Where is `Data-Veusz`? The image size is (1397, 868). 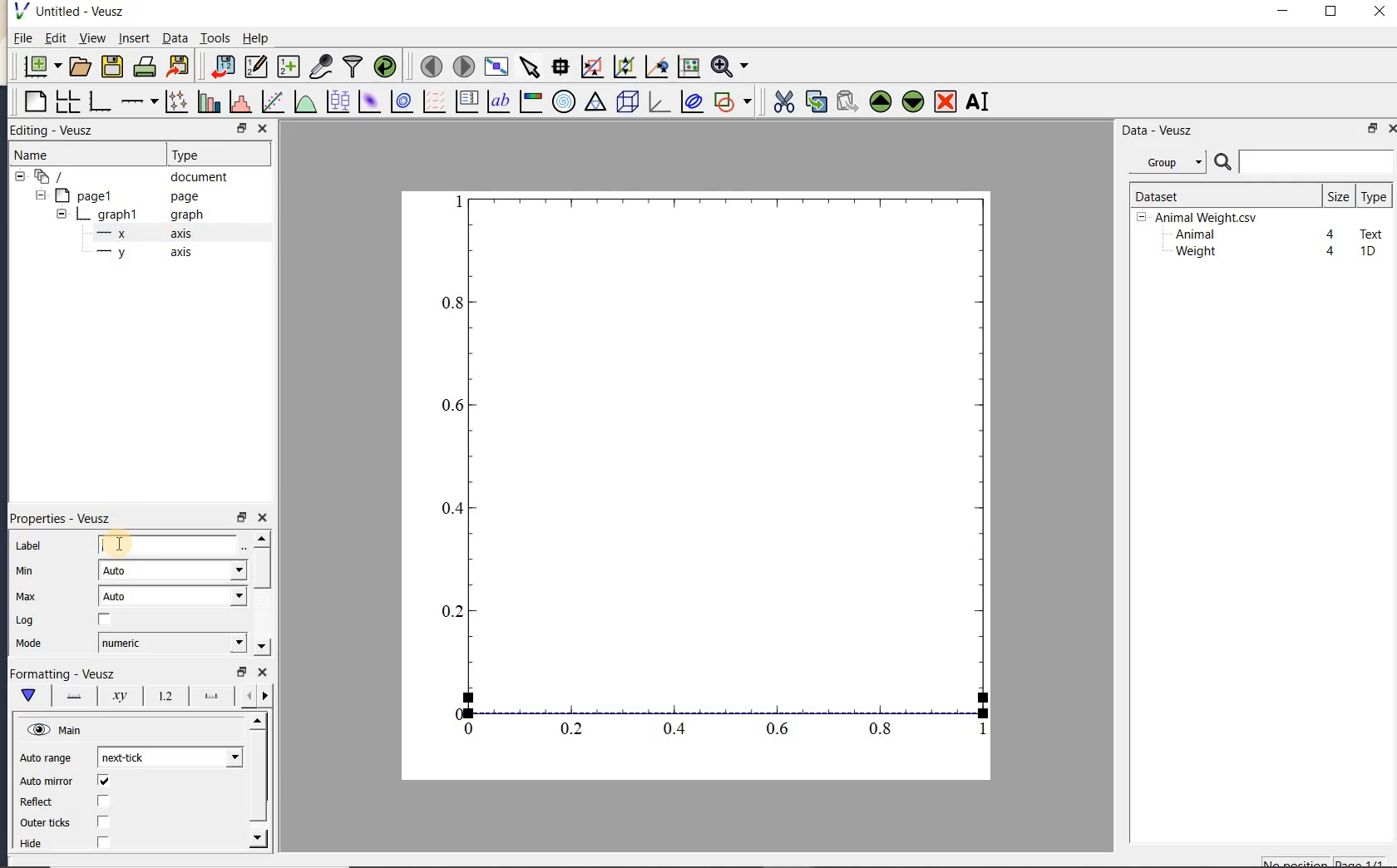 Data-Veusz is located at coordinates (1158, 131).